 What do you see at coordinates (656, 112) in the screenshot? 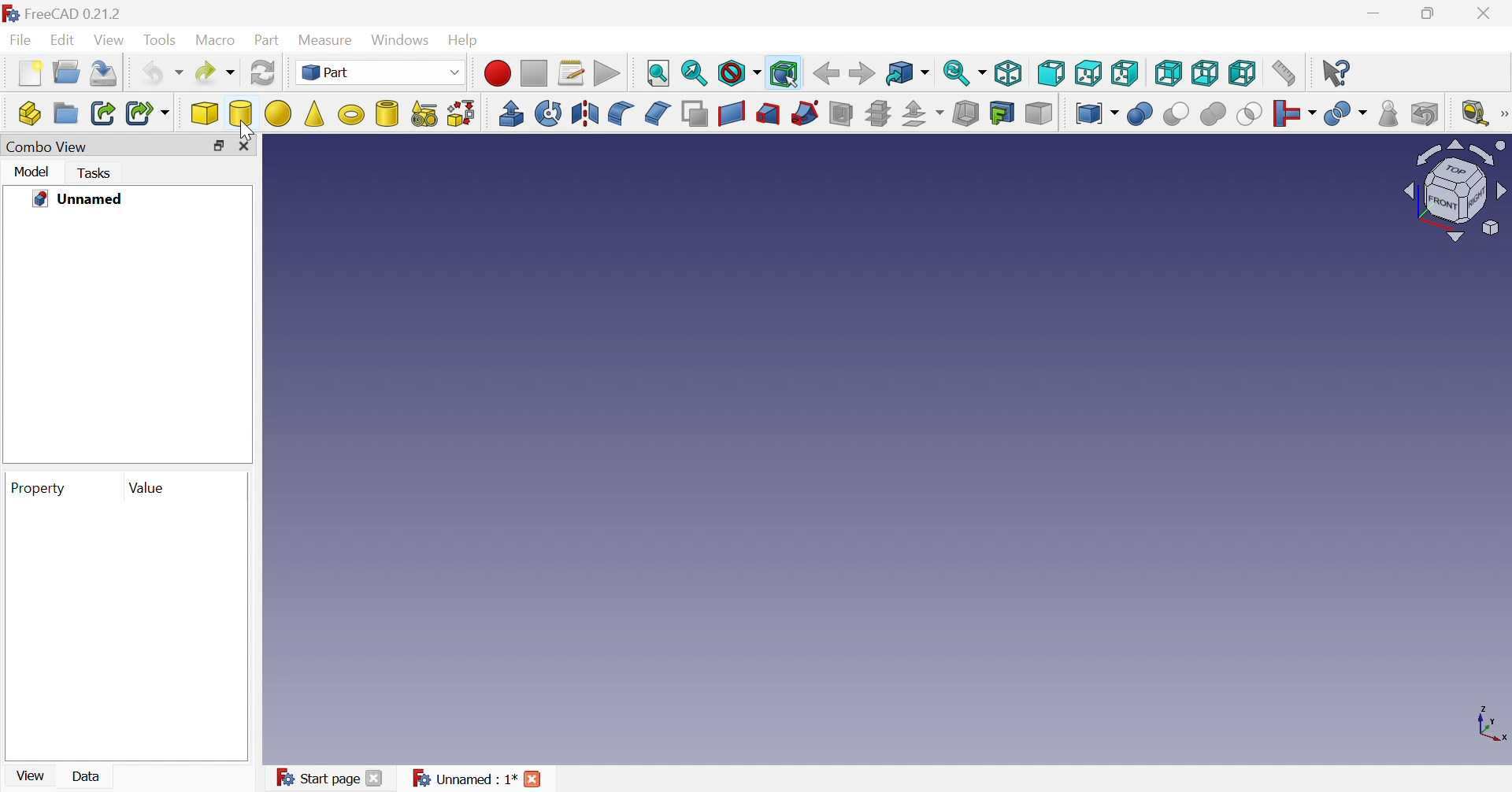
I see `Chamfer` at bounding box center [656, 112].